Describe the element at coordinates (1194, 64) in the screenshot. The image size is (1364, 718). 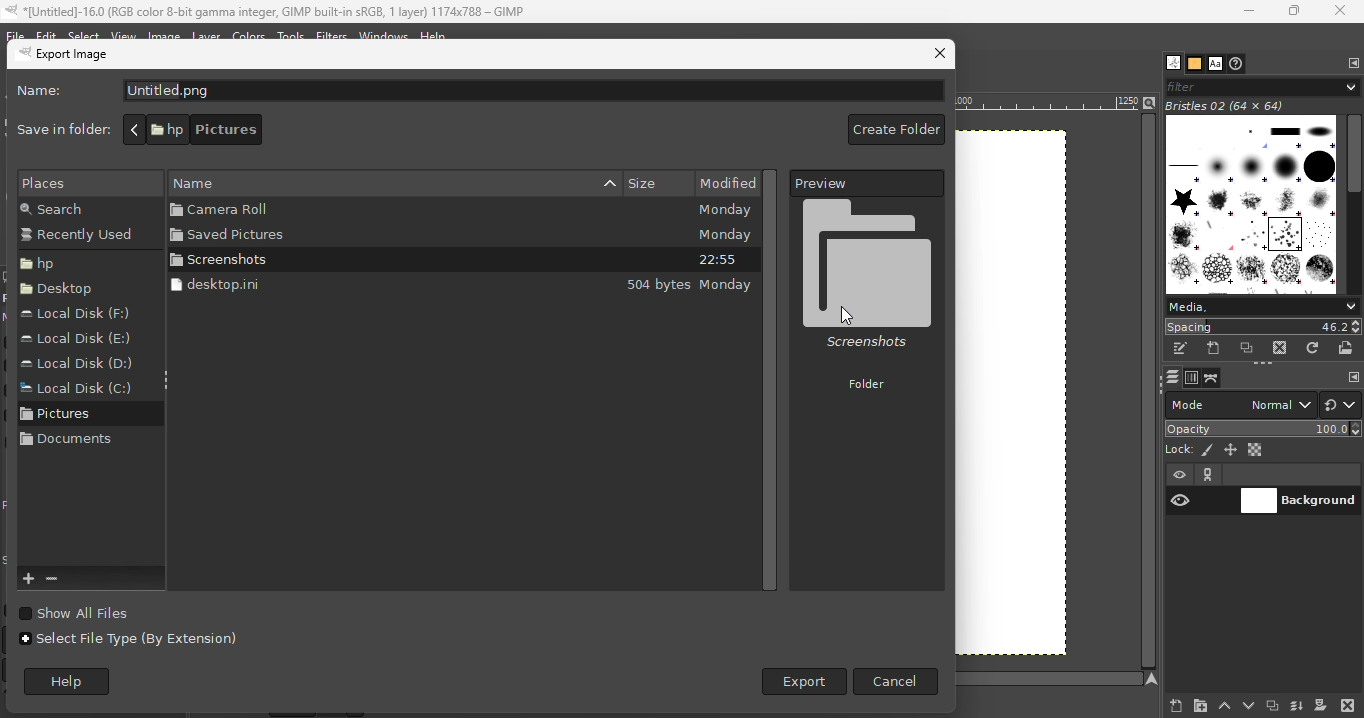
I see `Patterns` at that location.